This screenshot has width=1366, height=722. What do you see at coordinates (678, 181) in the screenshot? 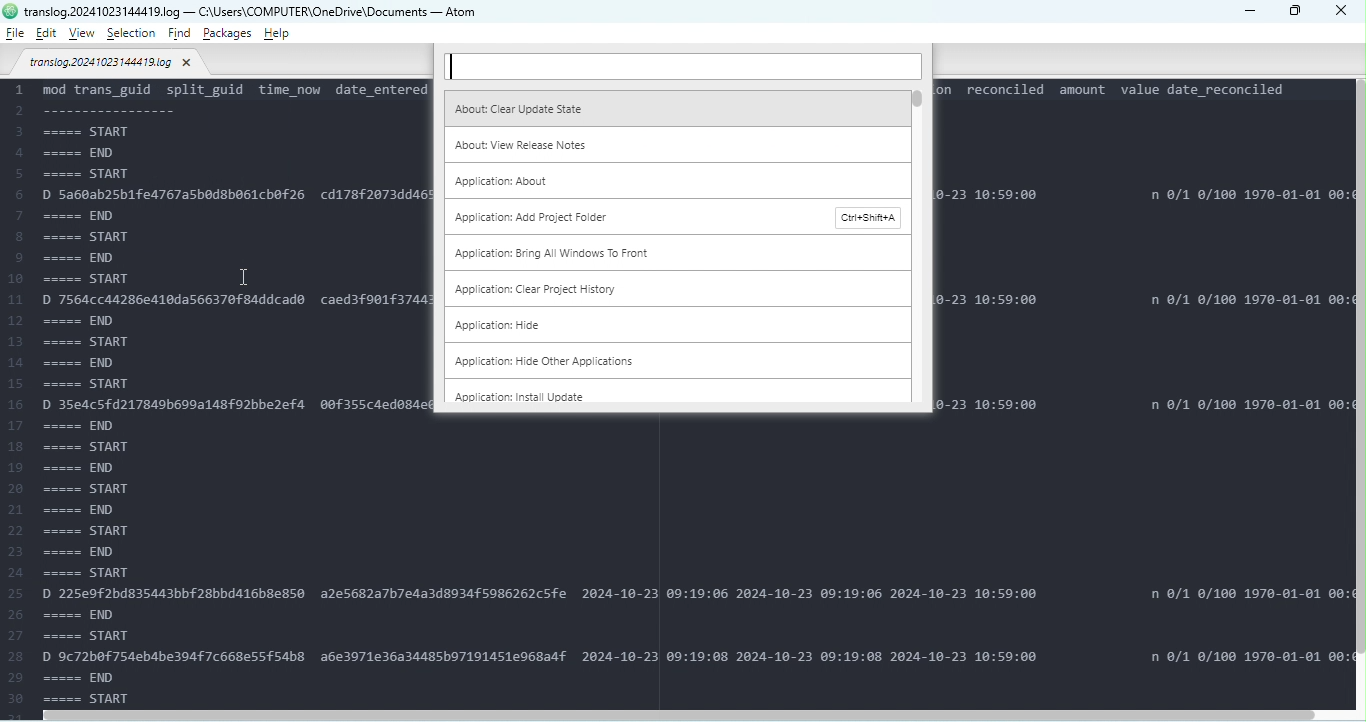
I see `Application: About` at bounding box center [678, 181].